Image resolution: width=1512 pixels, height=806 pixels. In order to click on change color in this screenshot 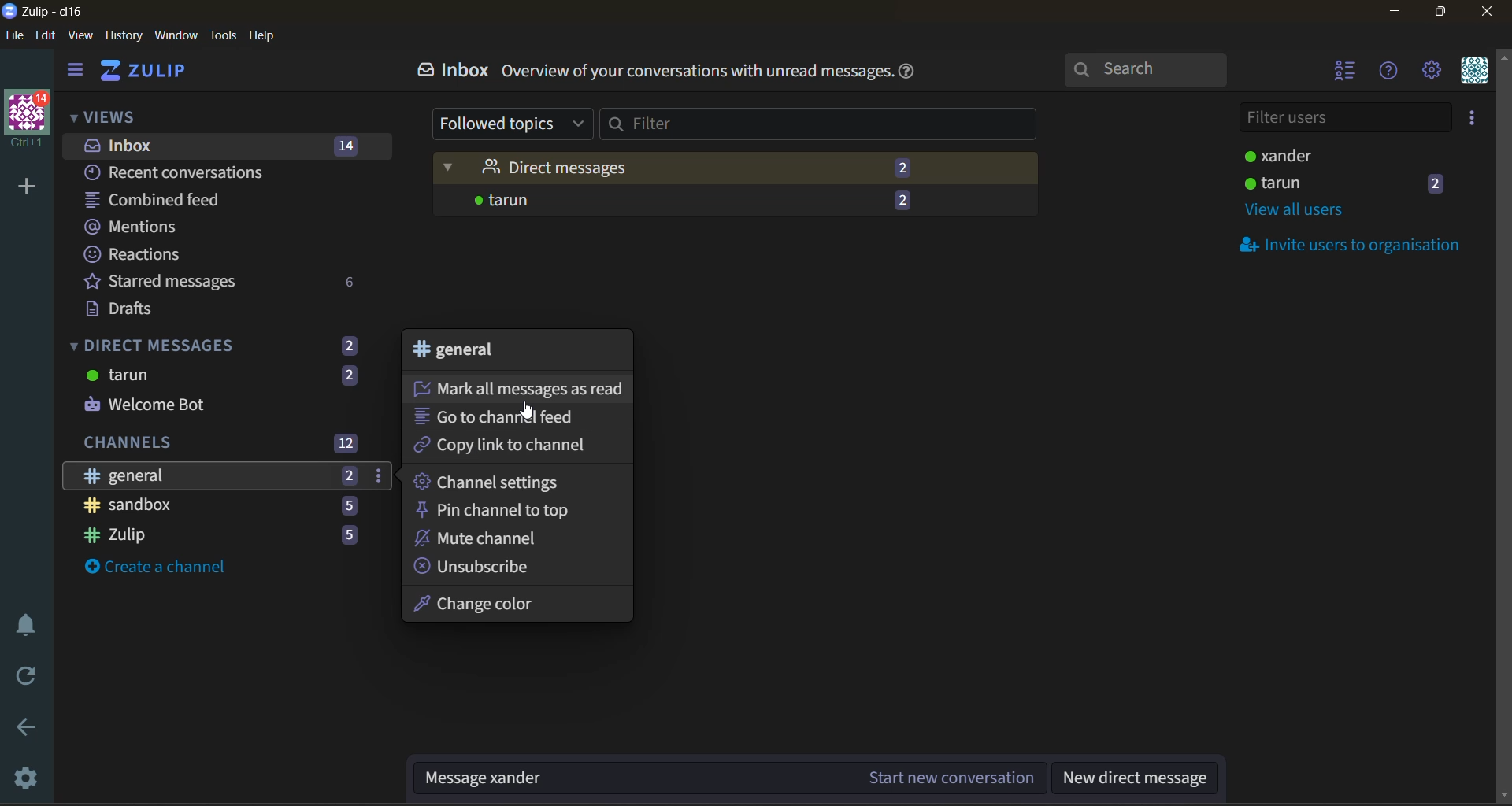, I will do `click(495, 604)`.